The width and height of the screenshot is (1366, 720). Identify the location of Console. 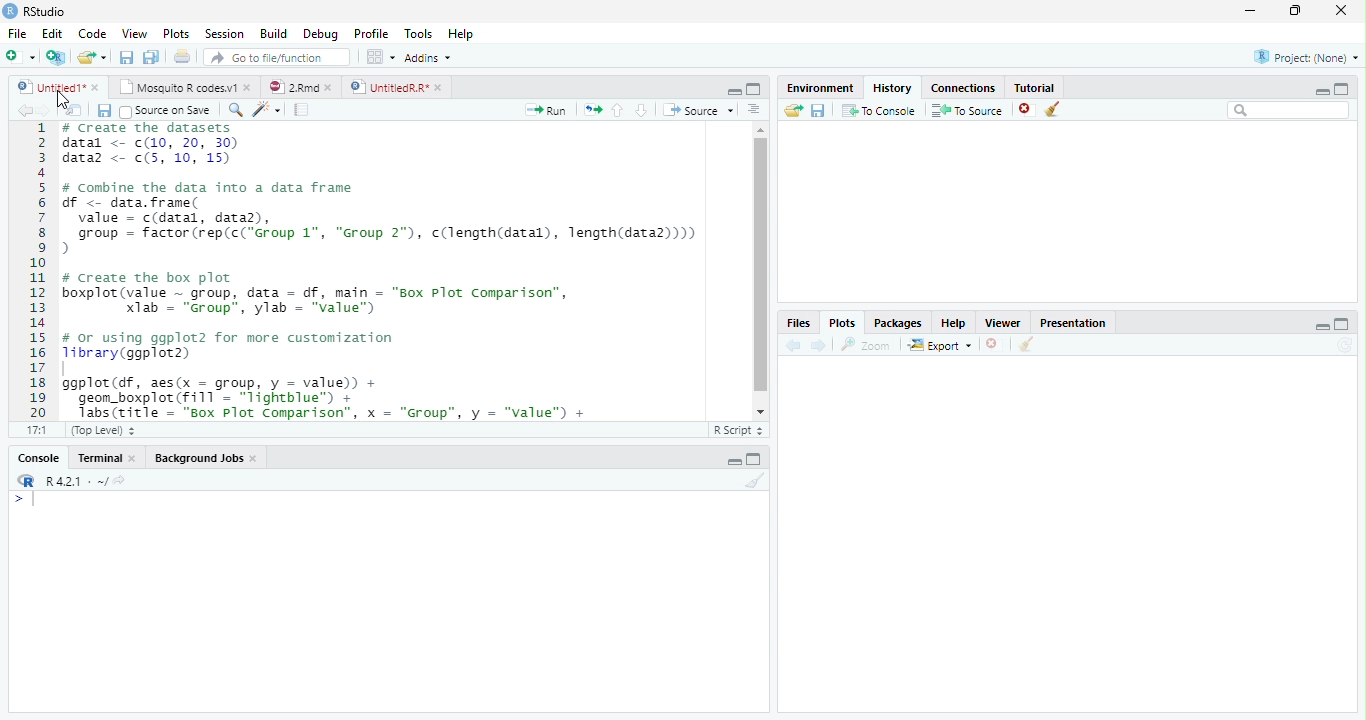
(38, 458).